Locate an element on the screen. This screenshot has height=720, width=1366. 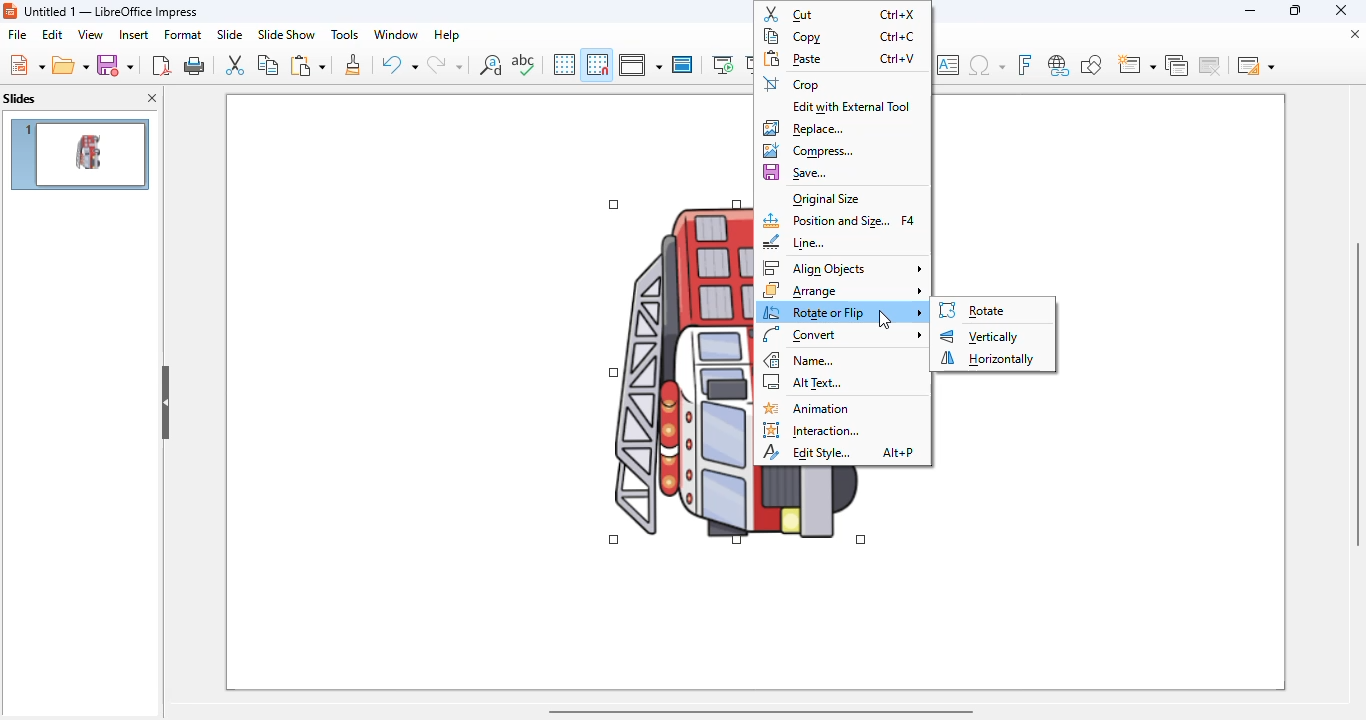
clone formatting is located at coordinates (353, 65).